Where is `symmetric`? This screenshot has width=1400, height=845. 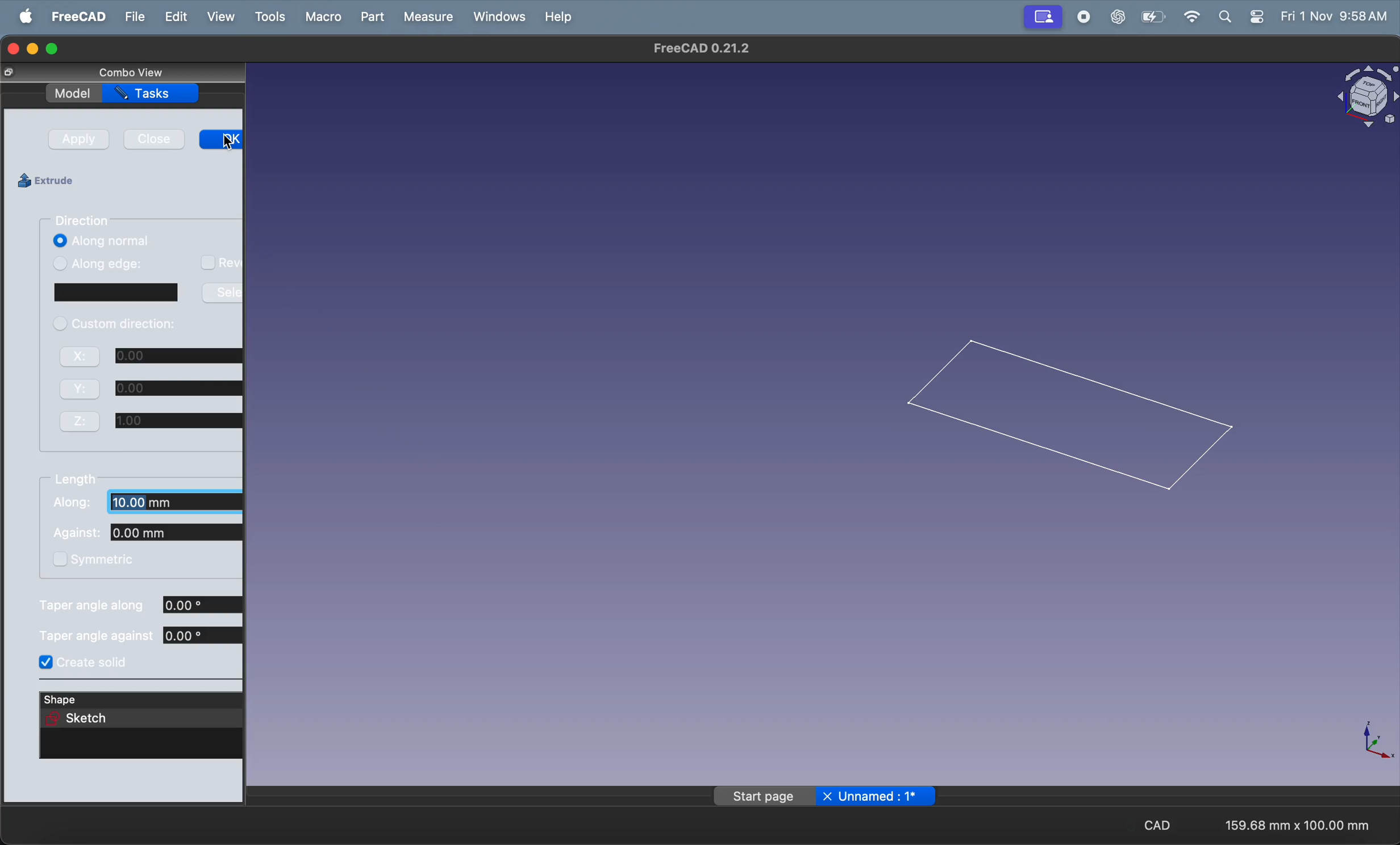
symmetric is located at coordinates (103, 560).